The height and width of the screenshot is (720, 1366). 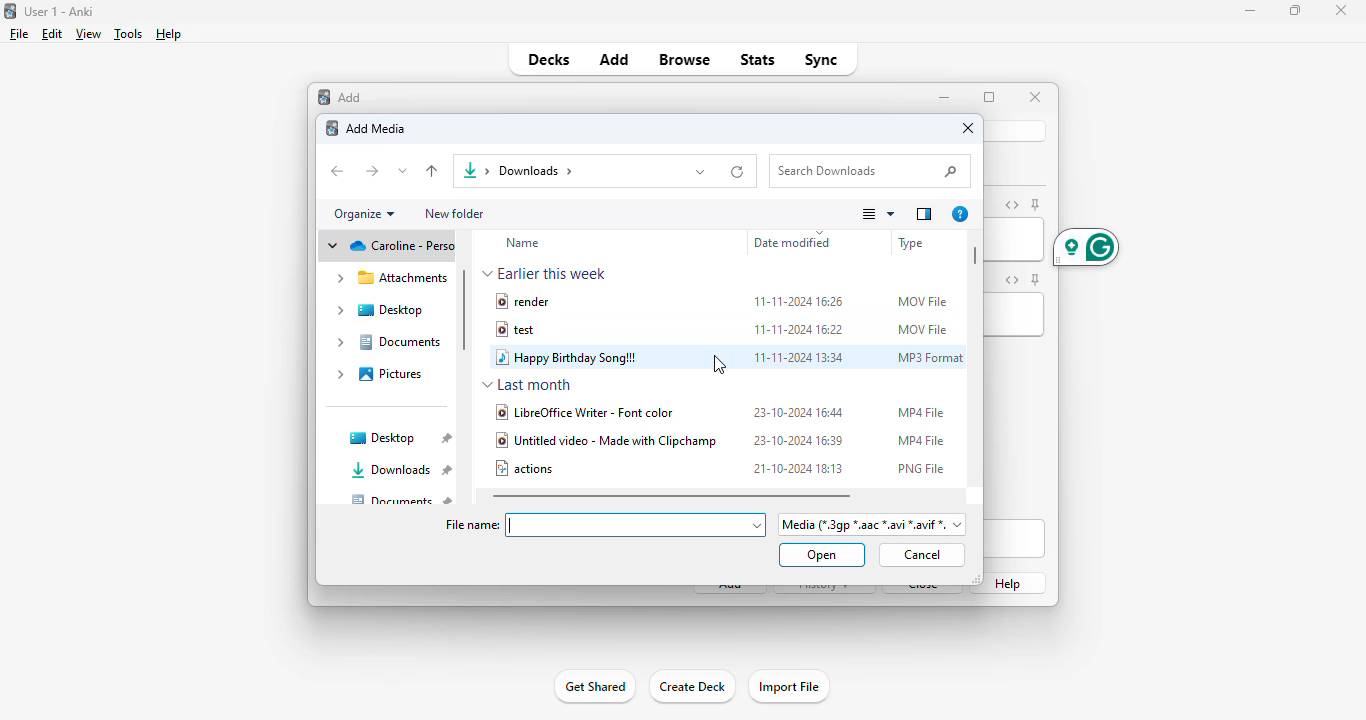 I want to click on close, so click(x=1341, y=10).